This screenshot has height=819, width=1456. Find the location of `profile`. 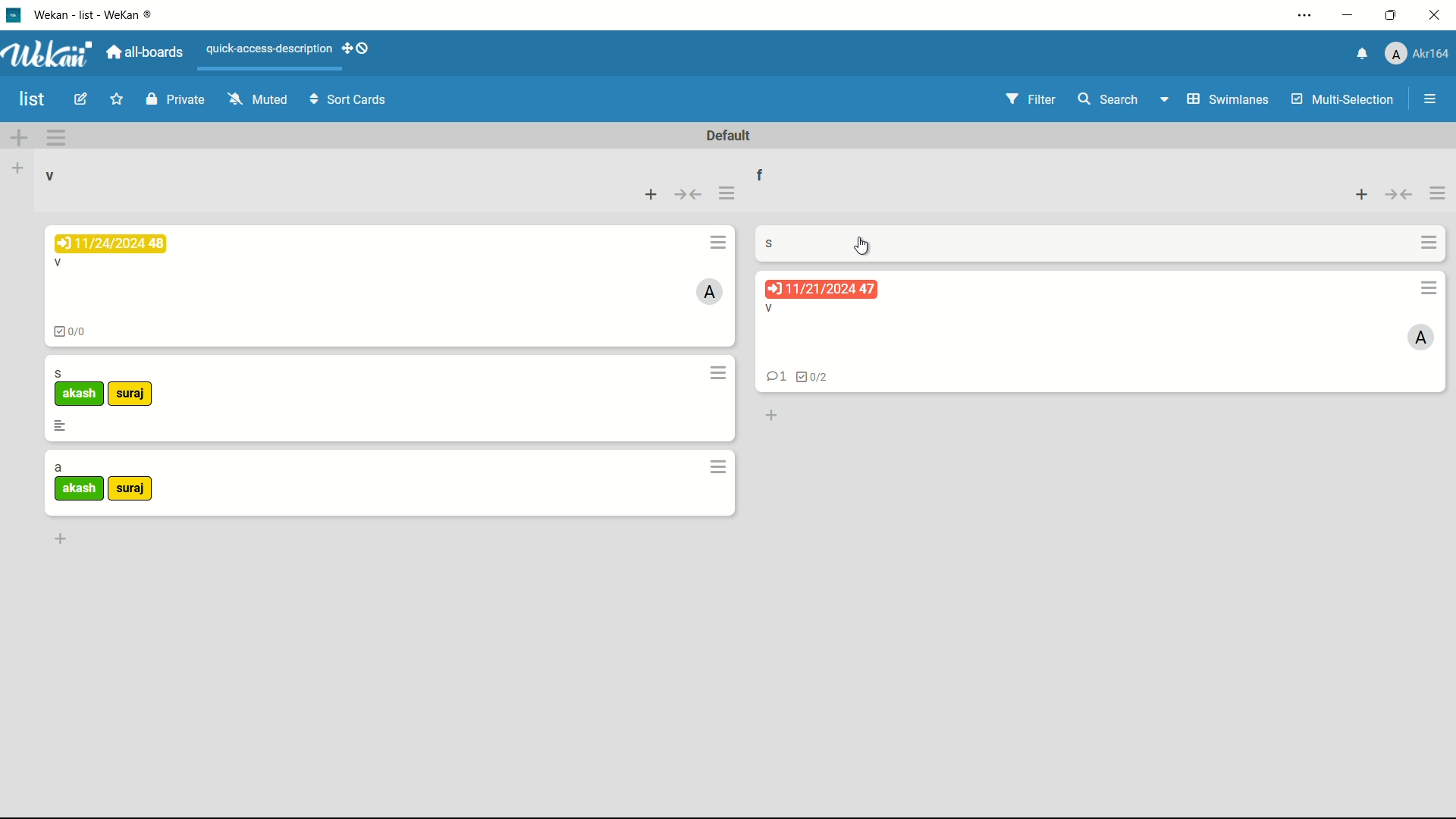

profile is located at coordinates (1418, 52).